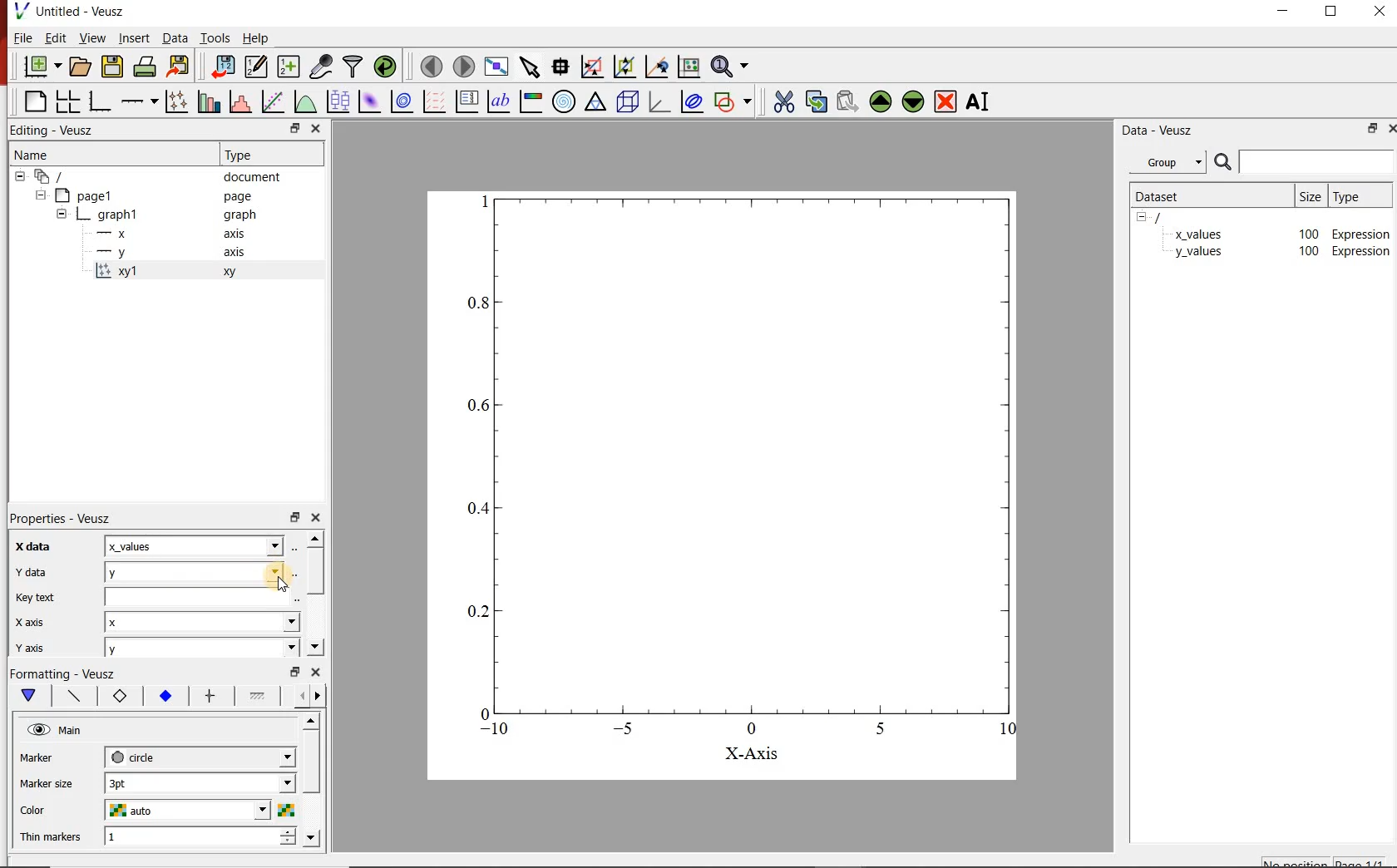  I want to click on move down the selected widget, so click(913, 104).